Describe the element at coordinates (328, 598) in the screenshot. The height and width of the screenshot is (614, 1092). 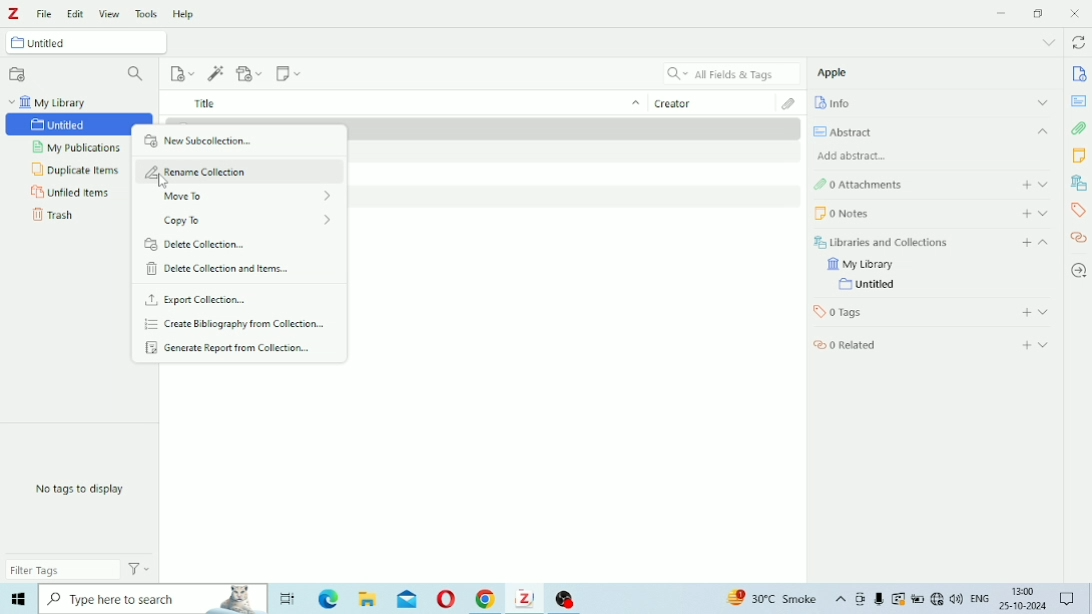
I see `` at that location.